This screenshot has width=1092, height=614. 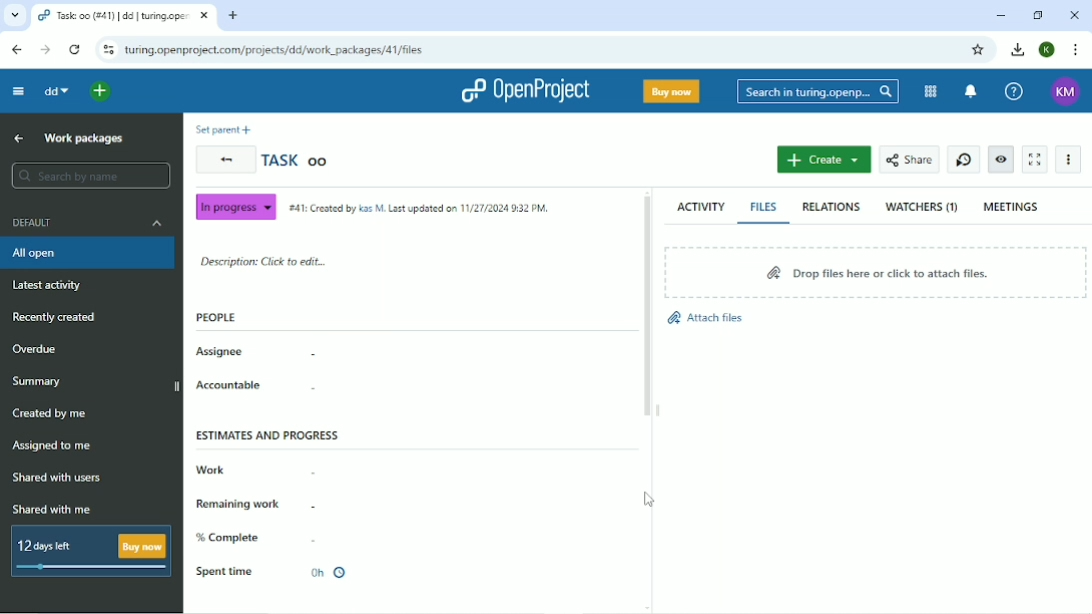 I want to click on Search, so click(x=818, y=91).